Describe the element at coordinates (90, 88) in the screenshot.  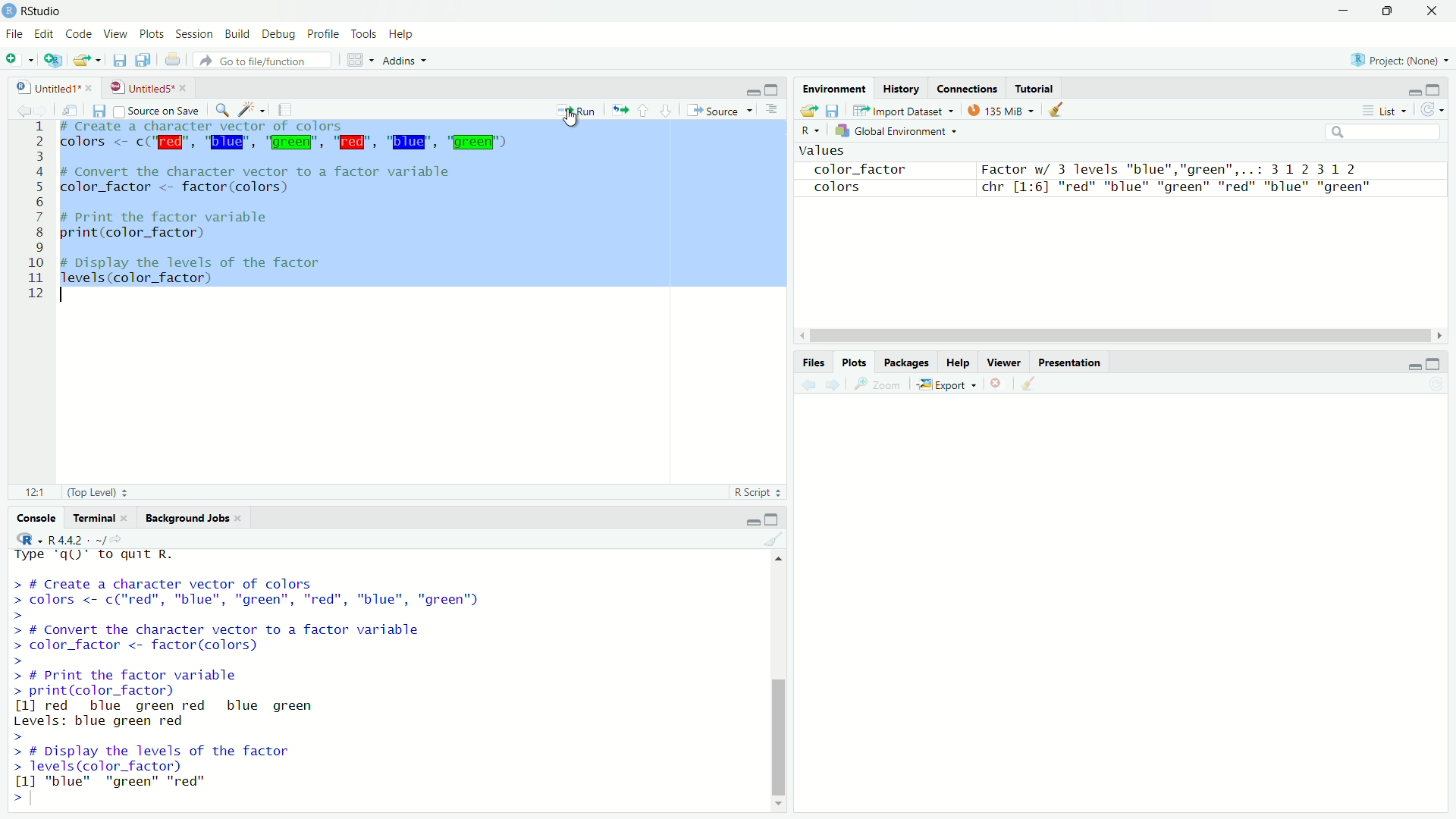
I see `close` at that location.